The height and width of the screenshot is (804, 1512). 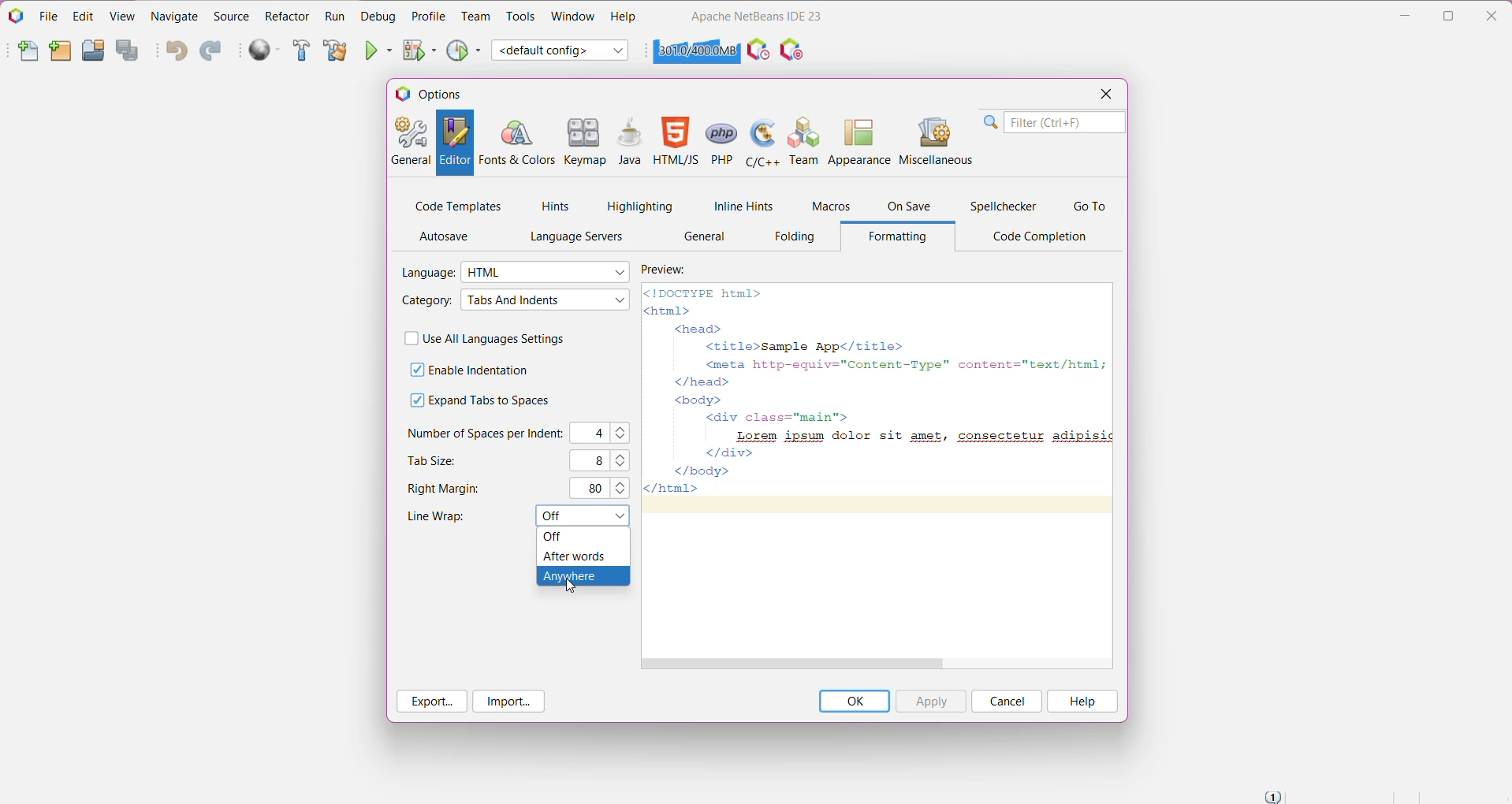 What do you see at coordinates (802, 140) in the screenshot?
I see `Team` at bounding box center [802, 140].